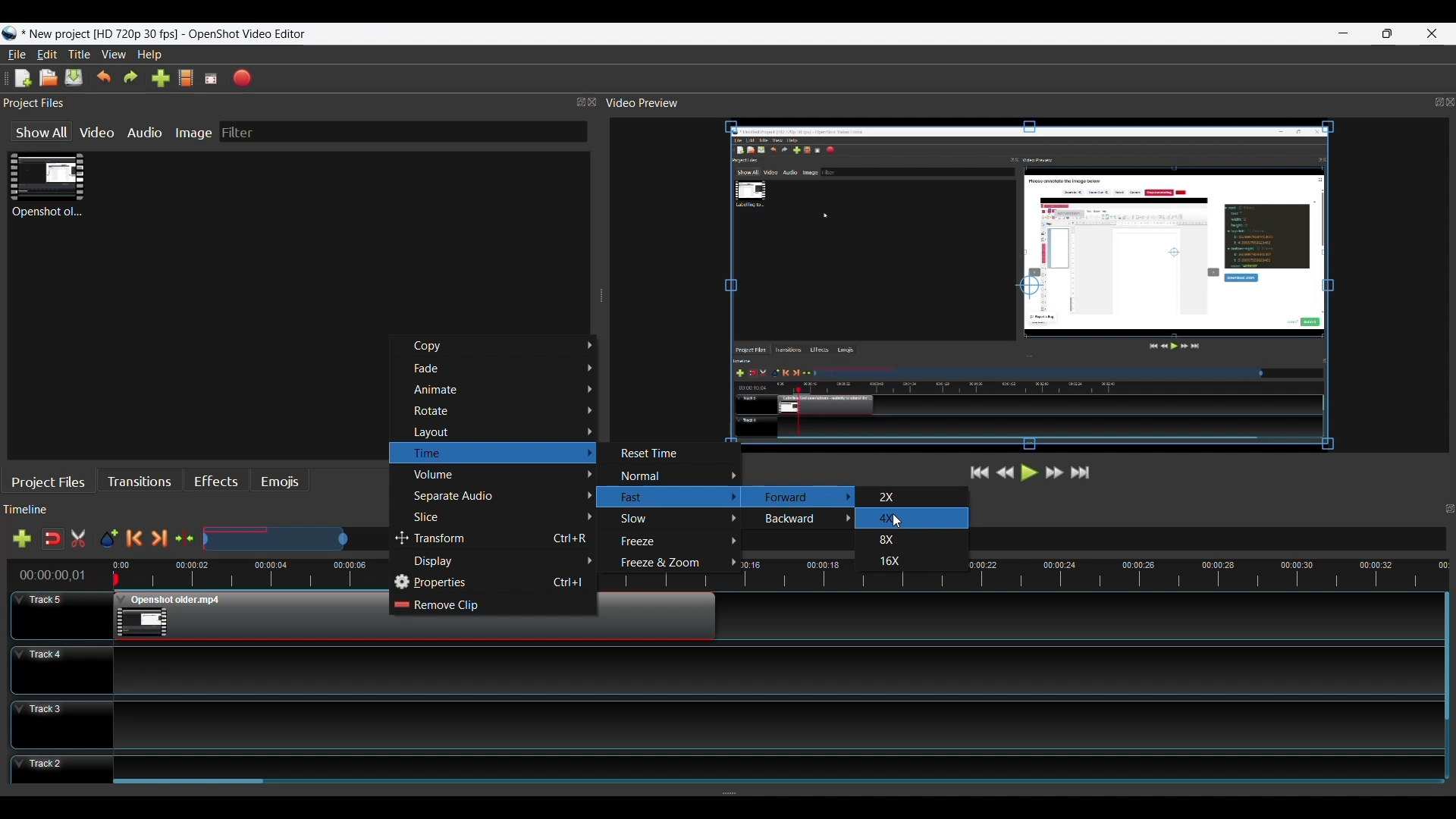  I want to click on File, so click(15, 55).